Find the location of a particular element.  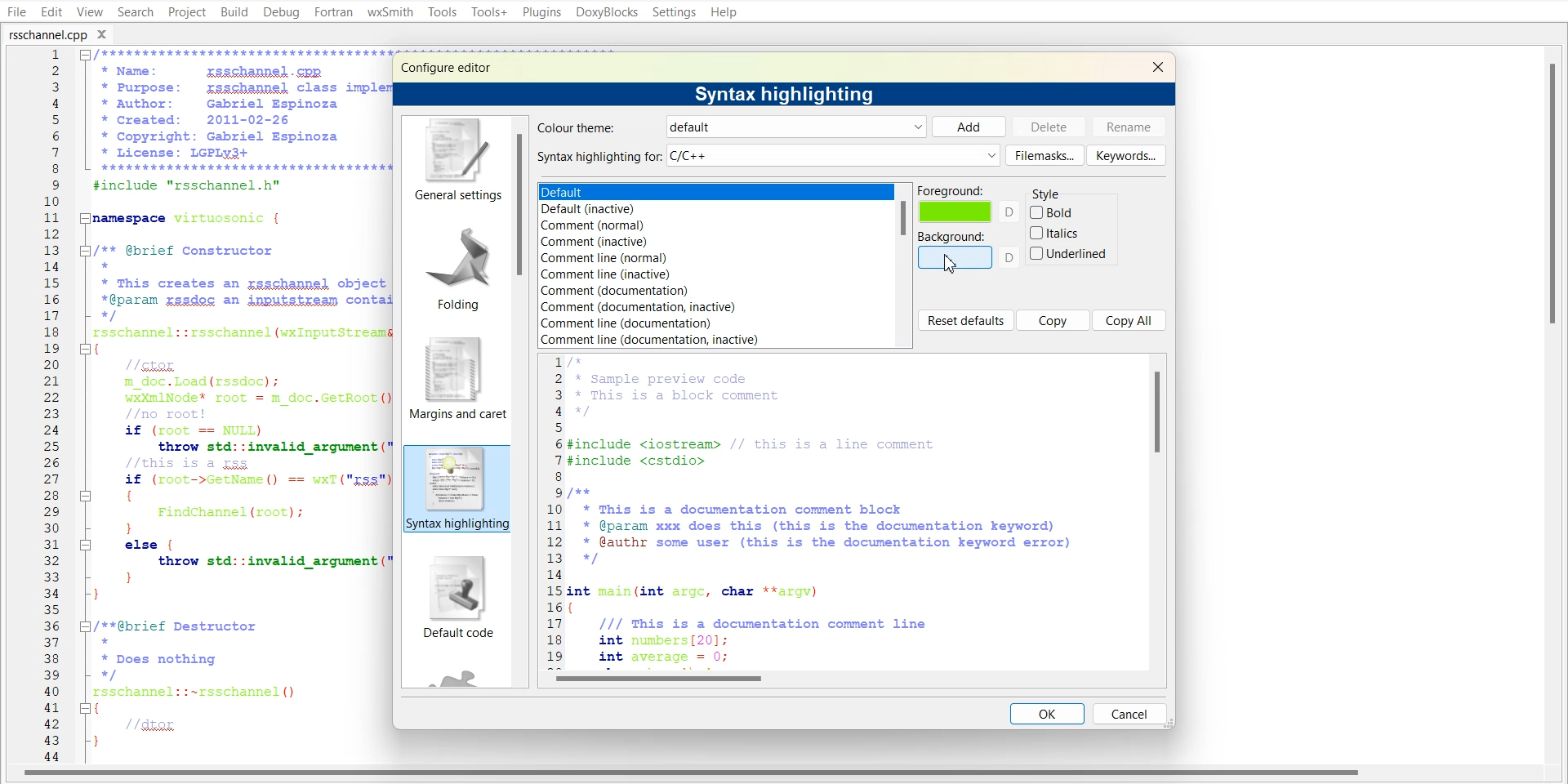

Line numbers is located at coordinates (553, 509).